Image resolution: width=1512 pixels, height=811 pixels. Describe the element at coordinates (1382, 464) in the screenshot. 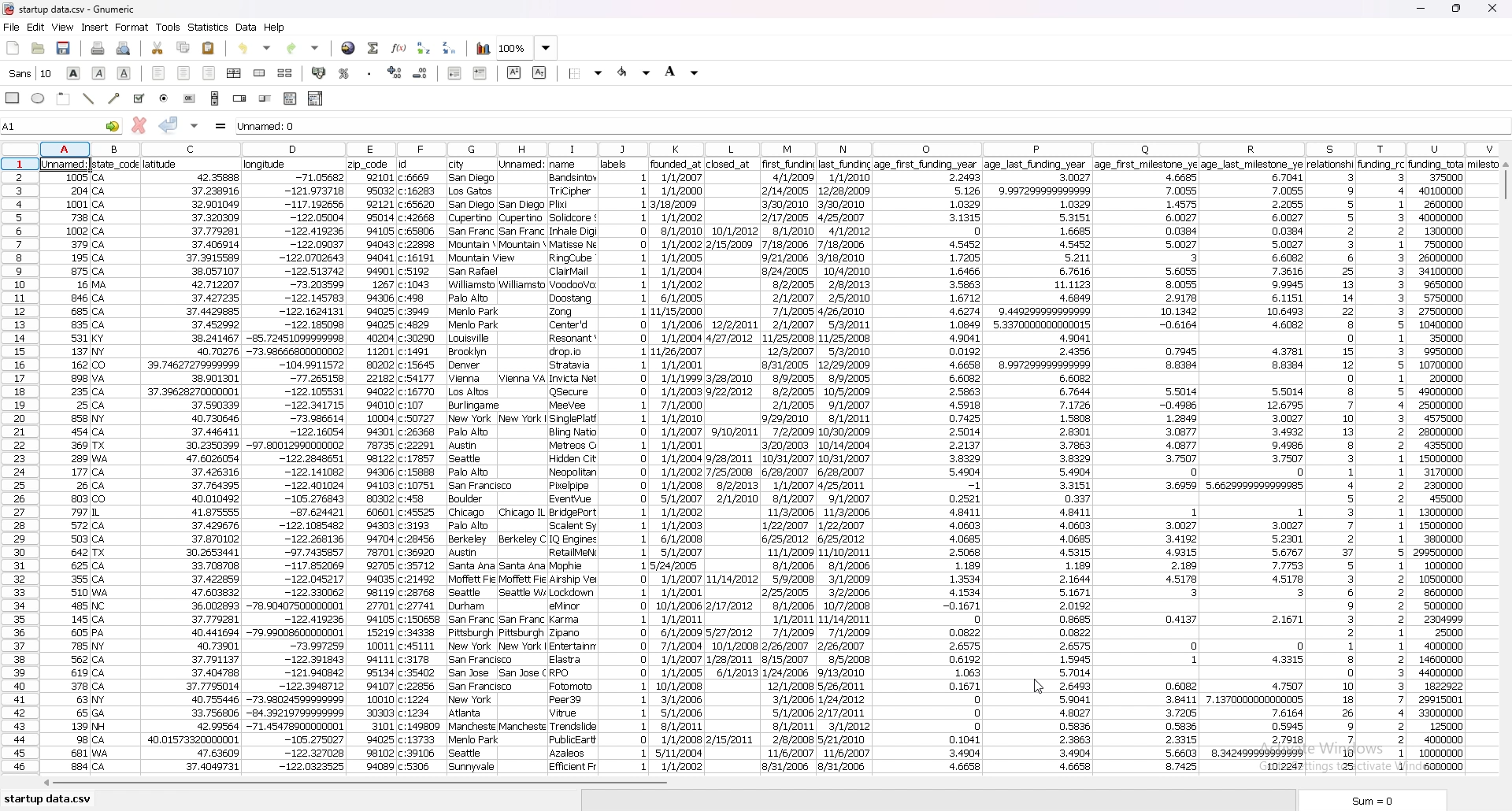

I see `data` at that location.